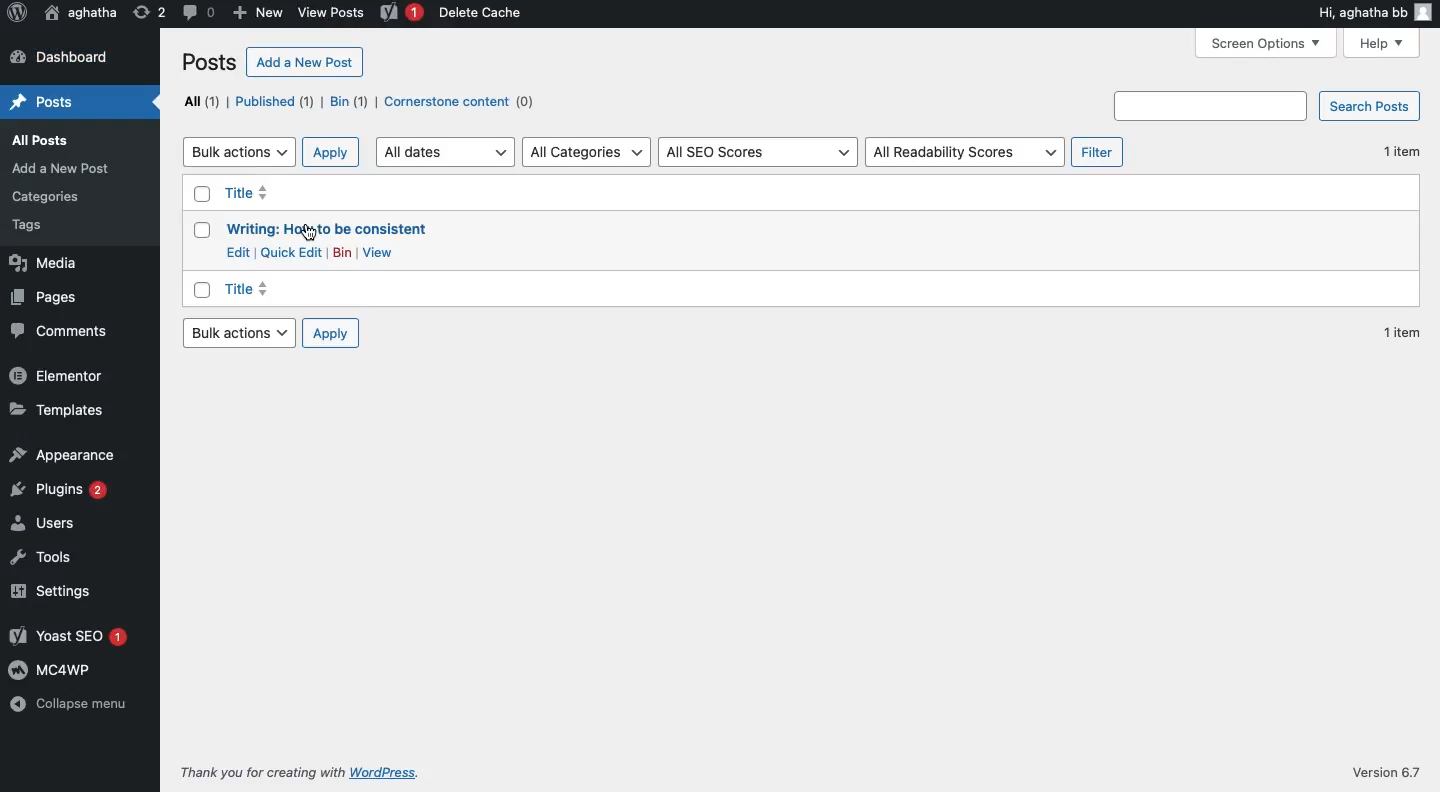  I want to click on Thank you for creating with WordPress., so click(301, 773).